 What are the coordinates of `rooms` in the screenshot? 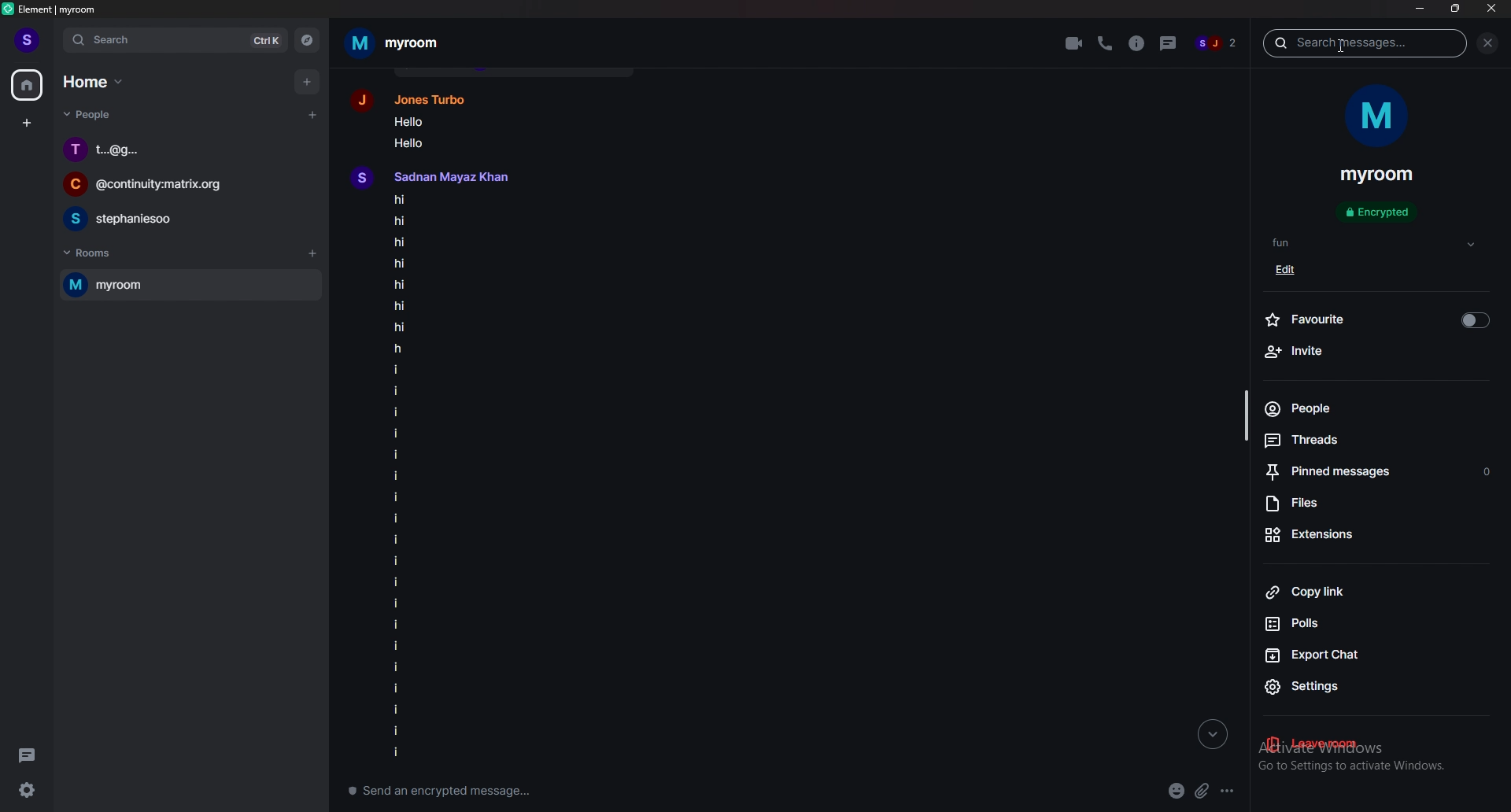 It's located at (98, 254).